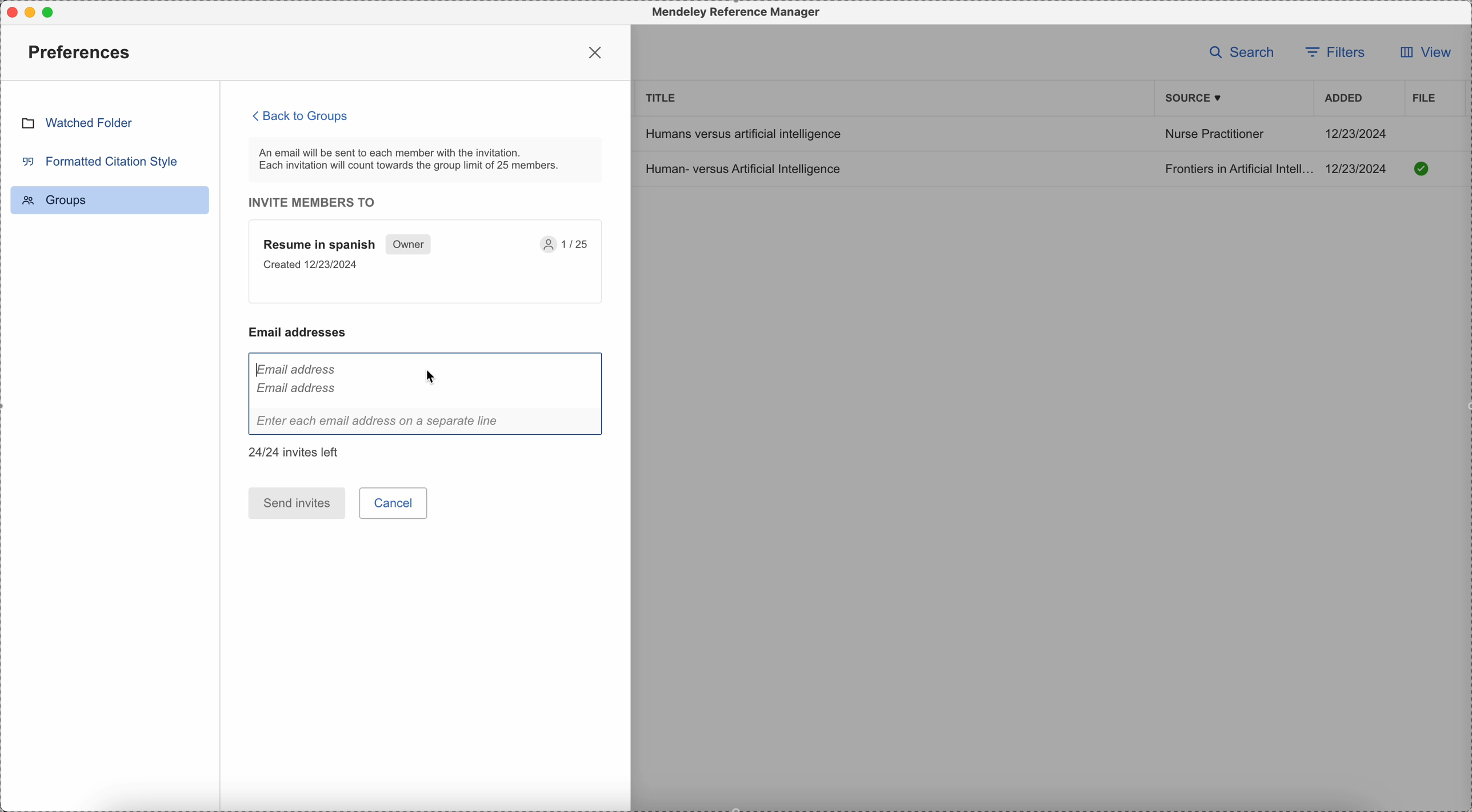  I want to click on Frontiers in Artificial Intell.., so click(1237, 168).